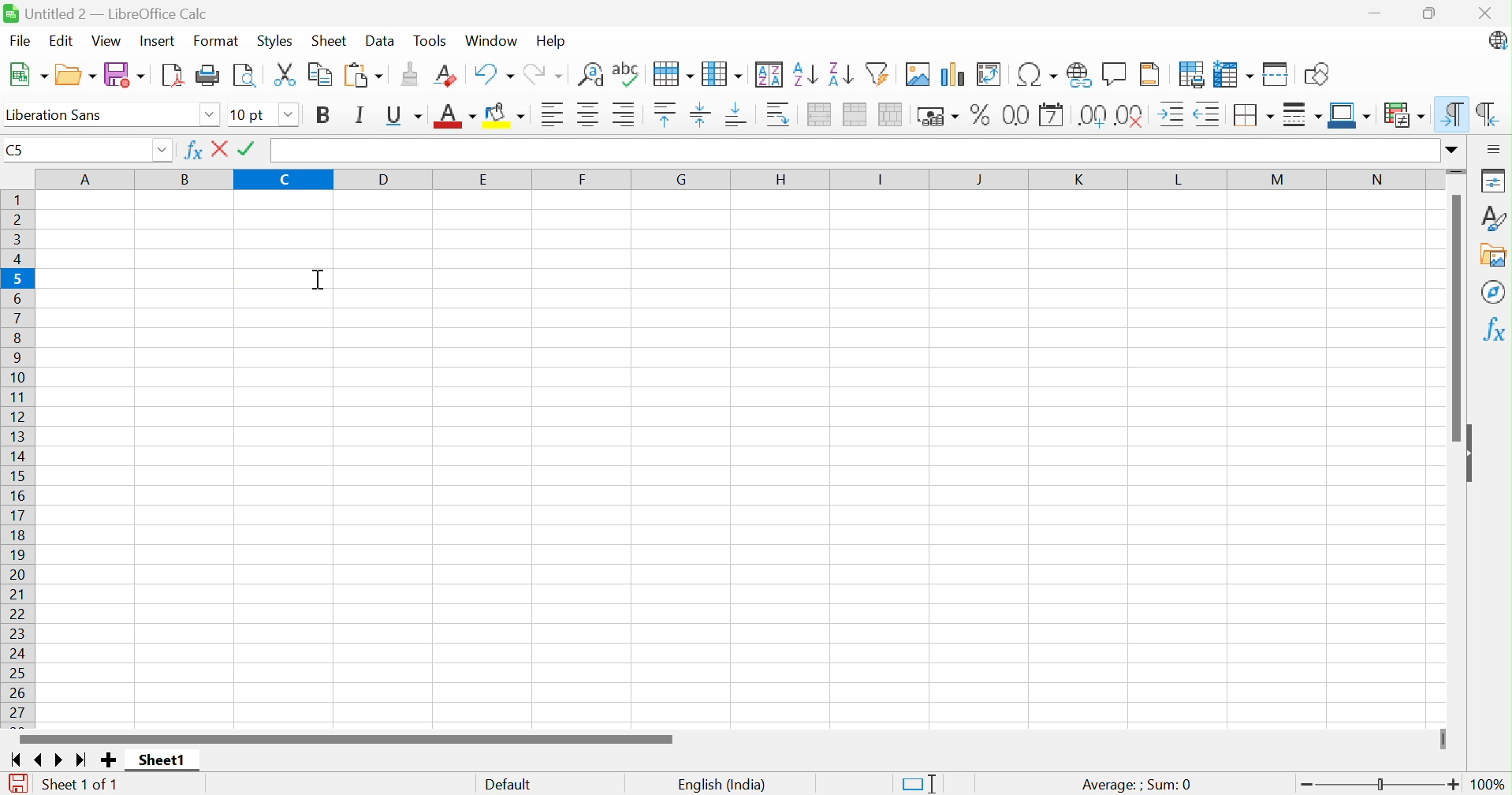 The width and height of the screenshot is (1512, 795). I want to click on Slider, so click(1456, 171).